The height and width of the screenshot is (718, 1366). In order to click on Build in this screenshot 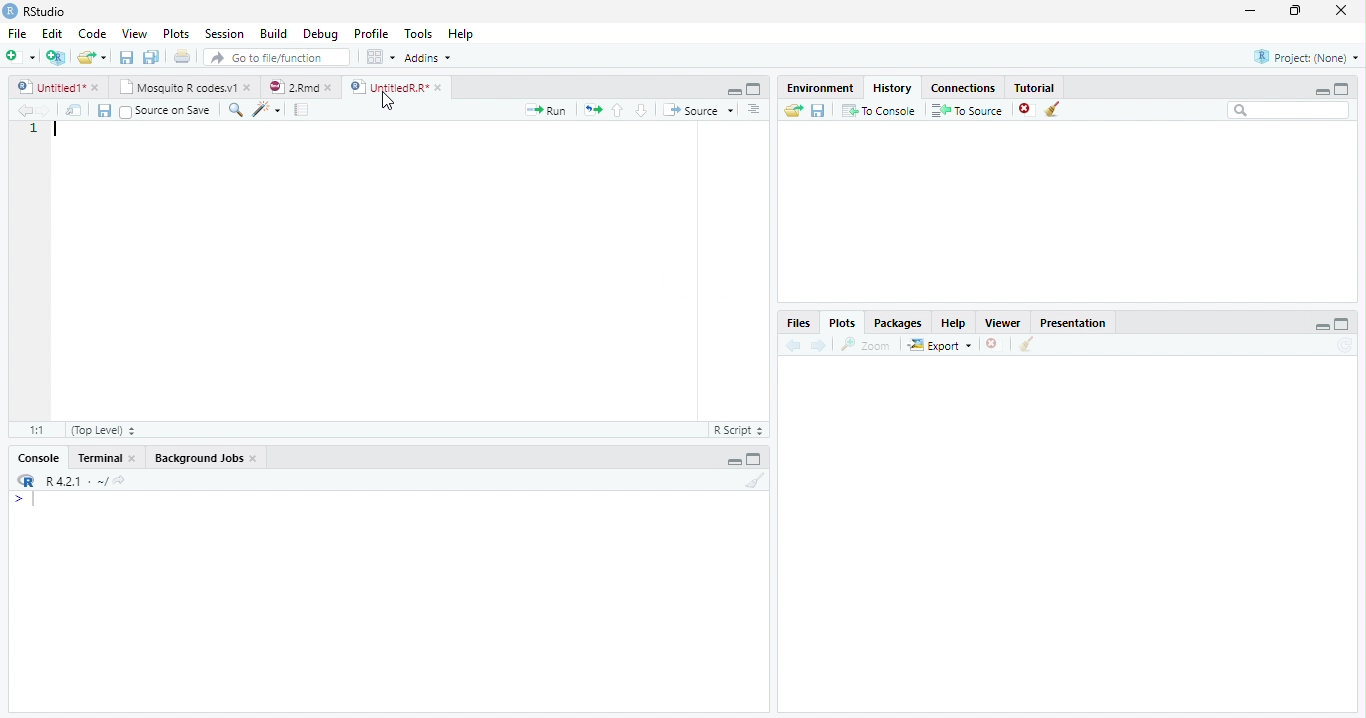, I will do `click(272, 33)`.